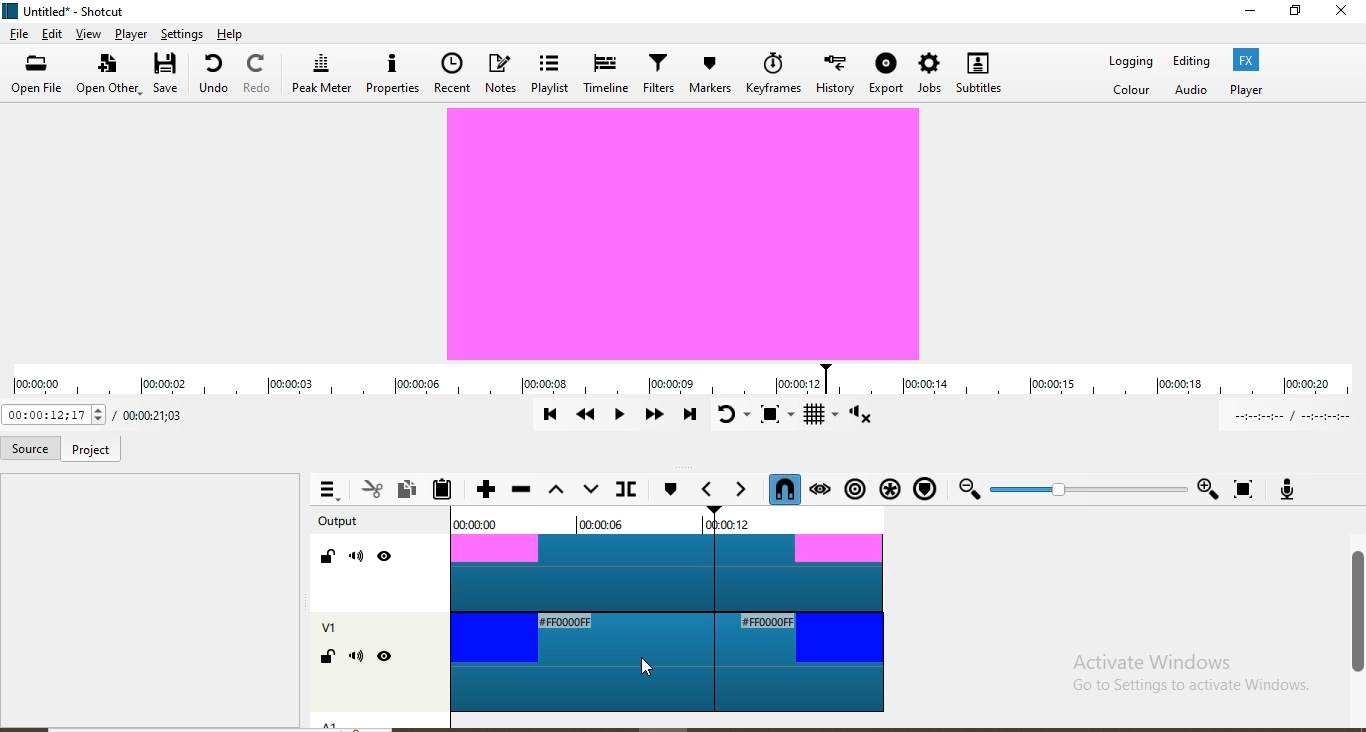  I want to click on Skip to previous, so click(549, 414).